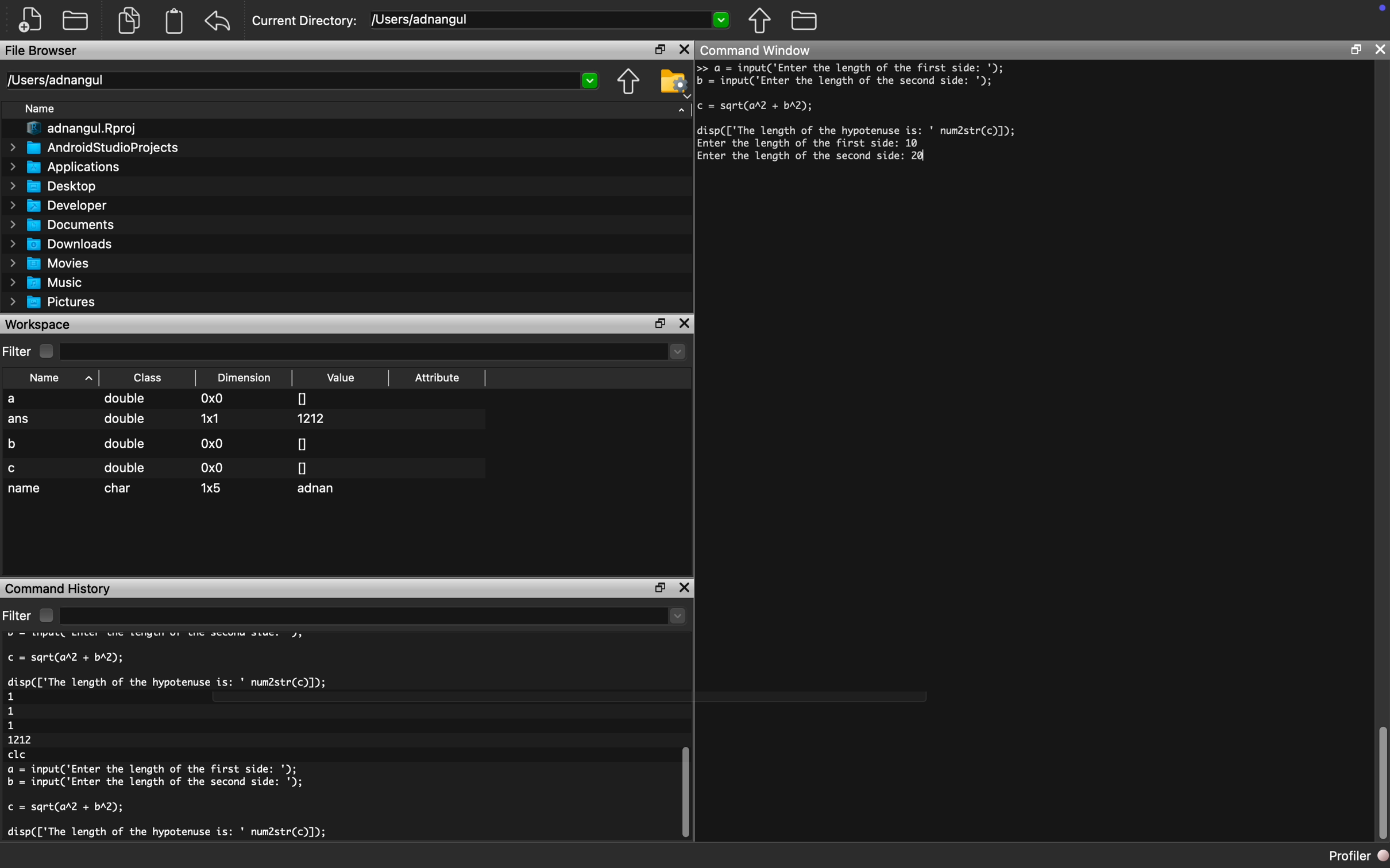 The height and width of the screenshot is (868, 1390). Describe the element at coordinates (882, 123) in the screenshot. I see `ee
>> a = input('Enter the length of the first side: ');

b = input('Enter the length of the second side: ');

c = sqrt(ar2 + bA2);

disp(['The length of the hypotenuse is: ' num2str(c)]);

Enter the length of the first side: 10

Enter the length of the second side: |` at that location.